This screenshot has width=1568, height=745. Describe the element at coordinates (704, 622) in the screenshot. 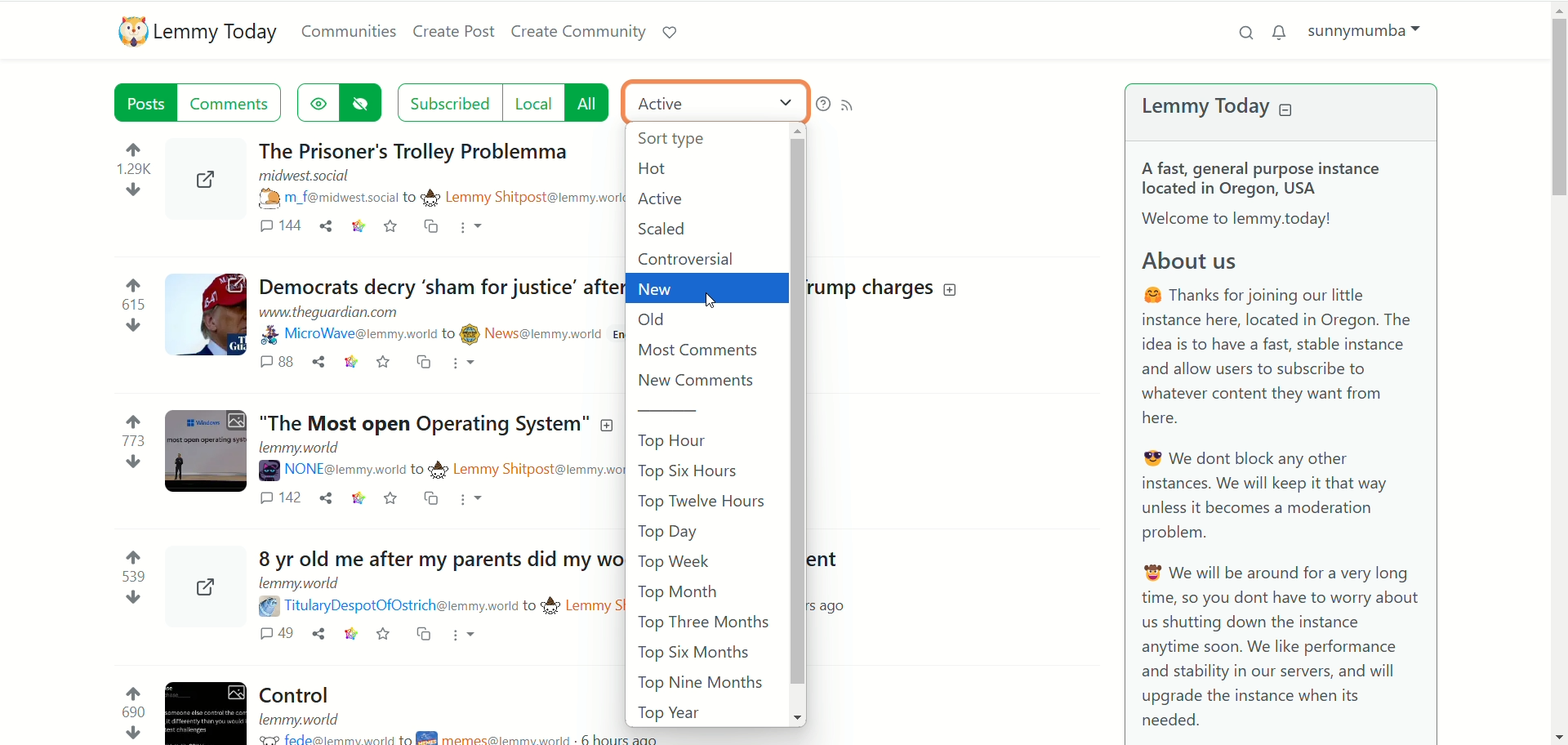

I see `top three months` at that location.